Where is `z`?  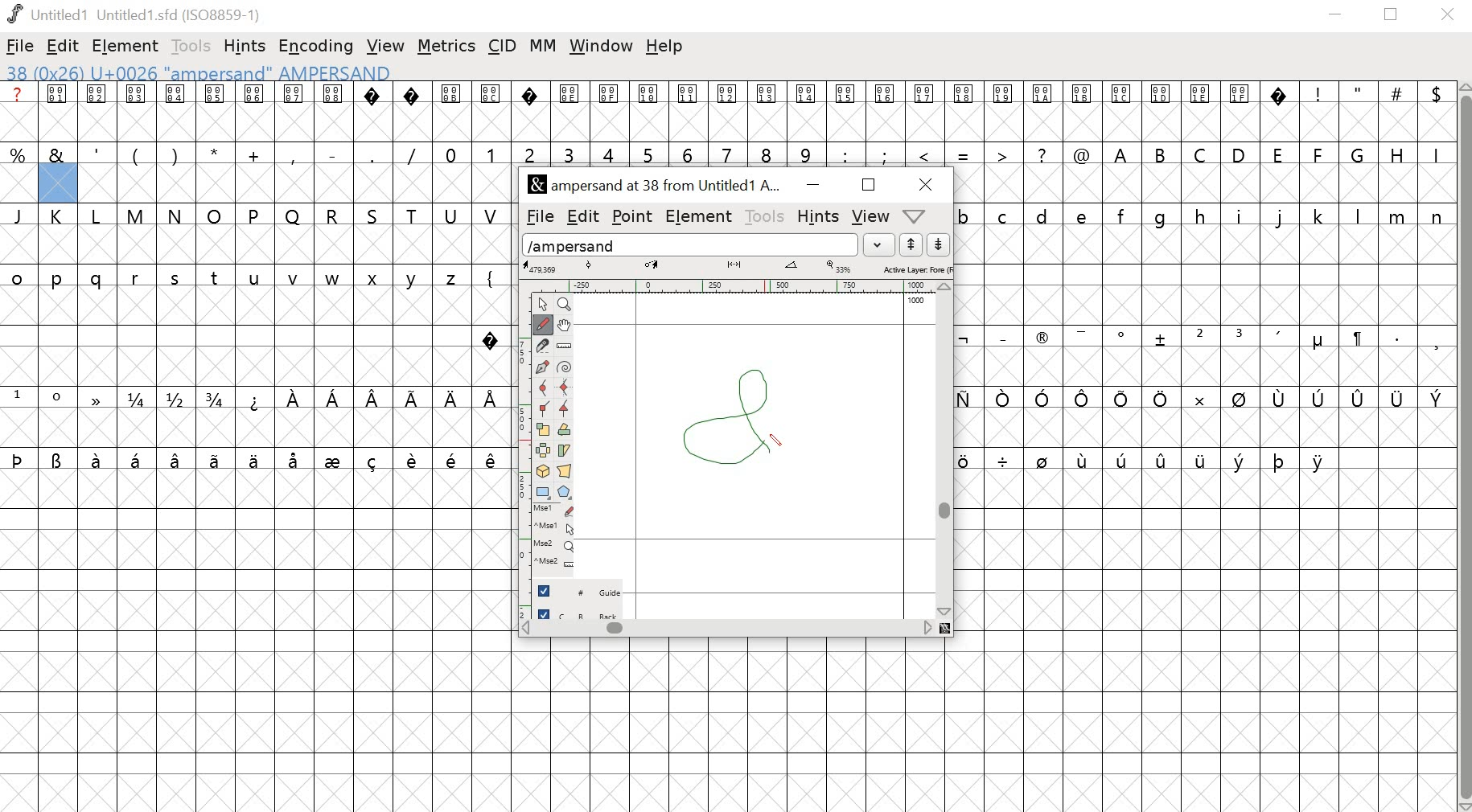
z is located at coordinates (454, 276).